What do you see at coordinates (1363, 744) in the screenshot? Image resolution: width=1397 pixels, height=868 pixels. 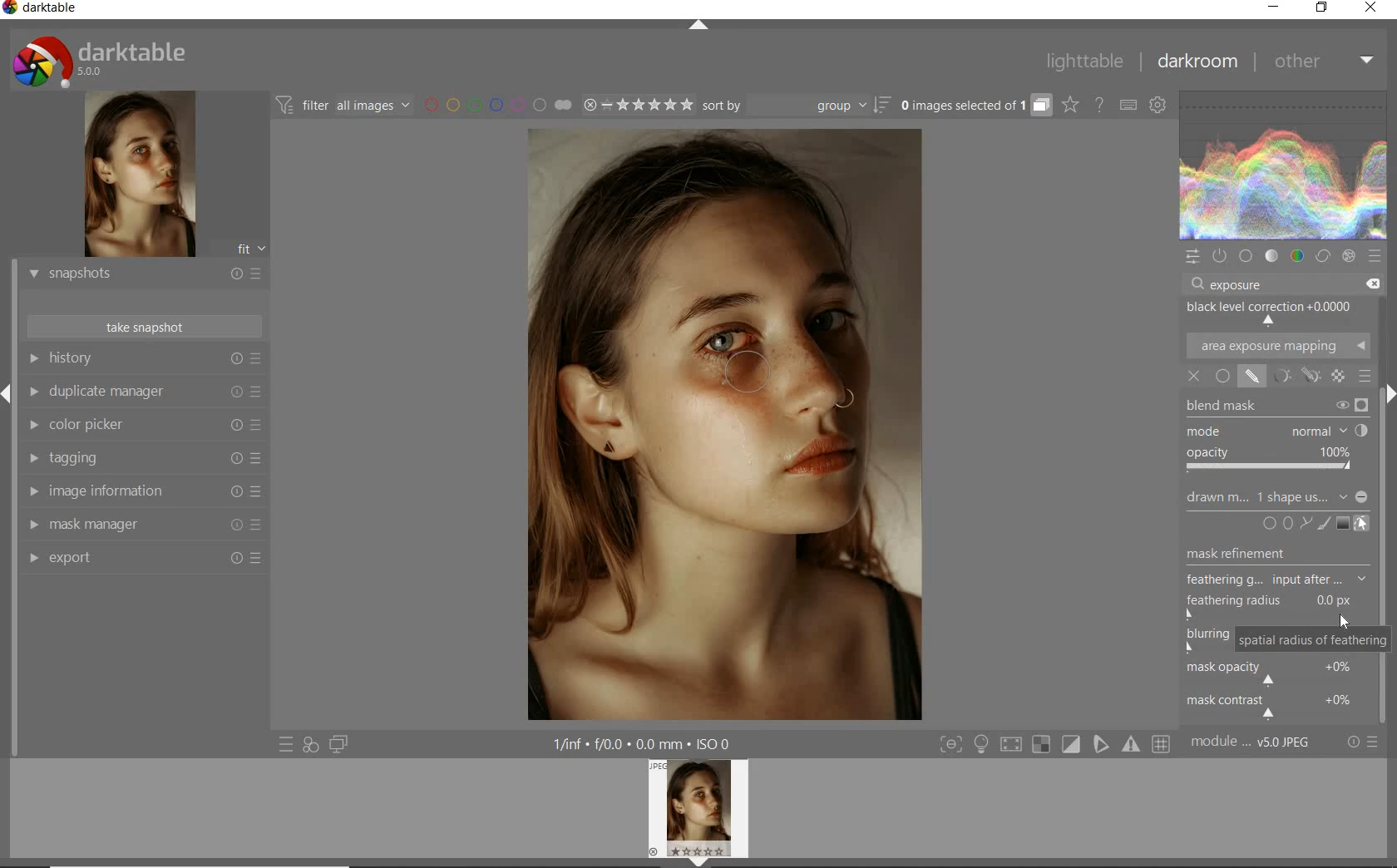 I see `reset or presets & preferences` at bounding box center [1363, 744].